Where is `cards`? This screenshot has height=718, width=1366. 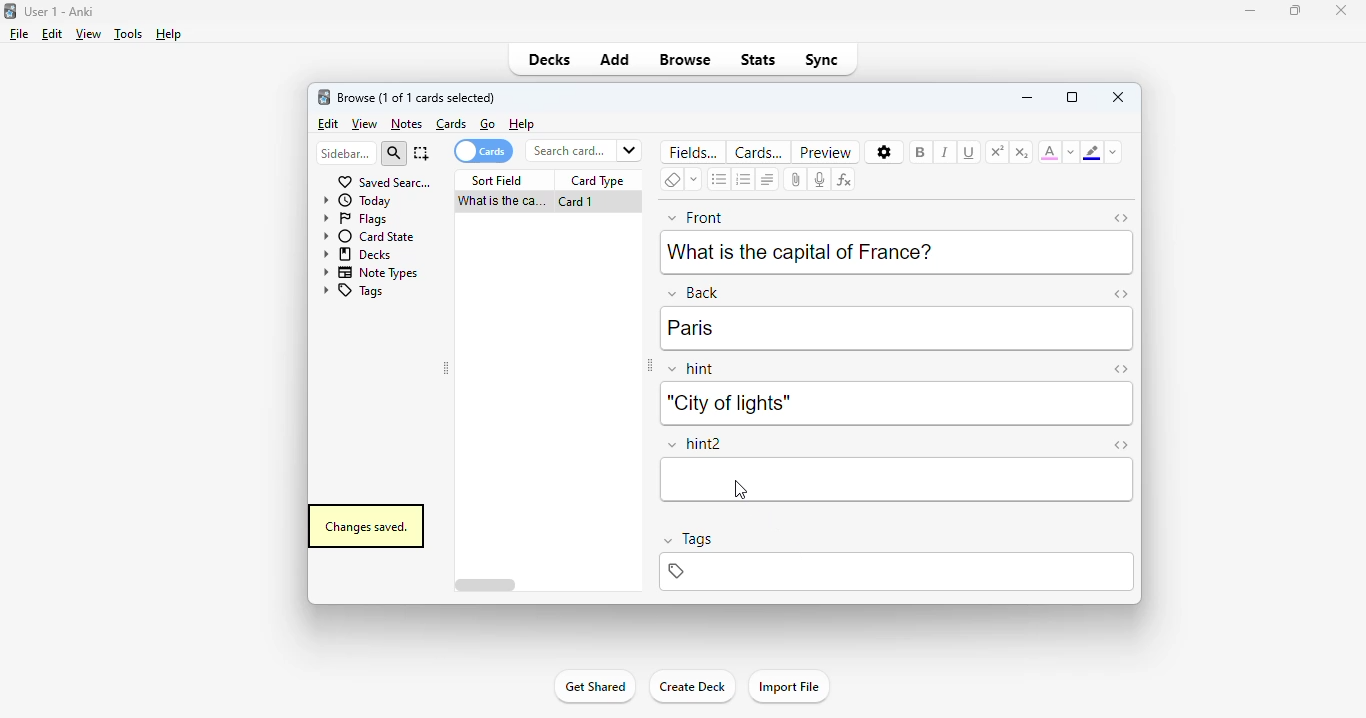
cards is located at coordinates (759, 152).